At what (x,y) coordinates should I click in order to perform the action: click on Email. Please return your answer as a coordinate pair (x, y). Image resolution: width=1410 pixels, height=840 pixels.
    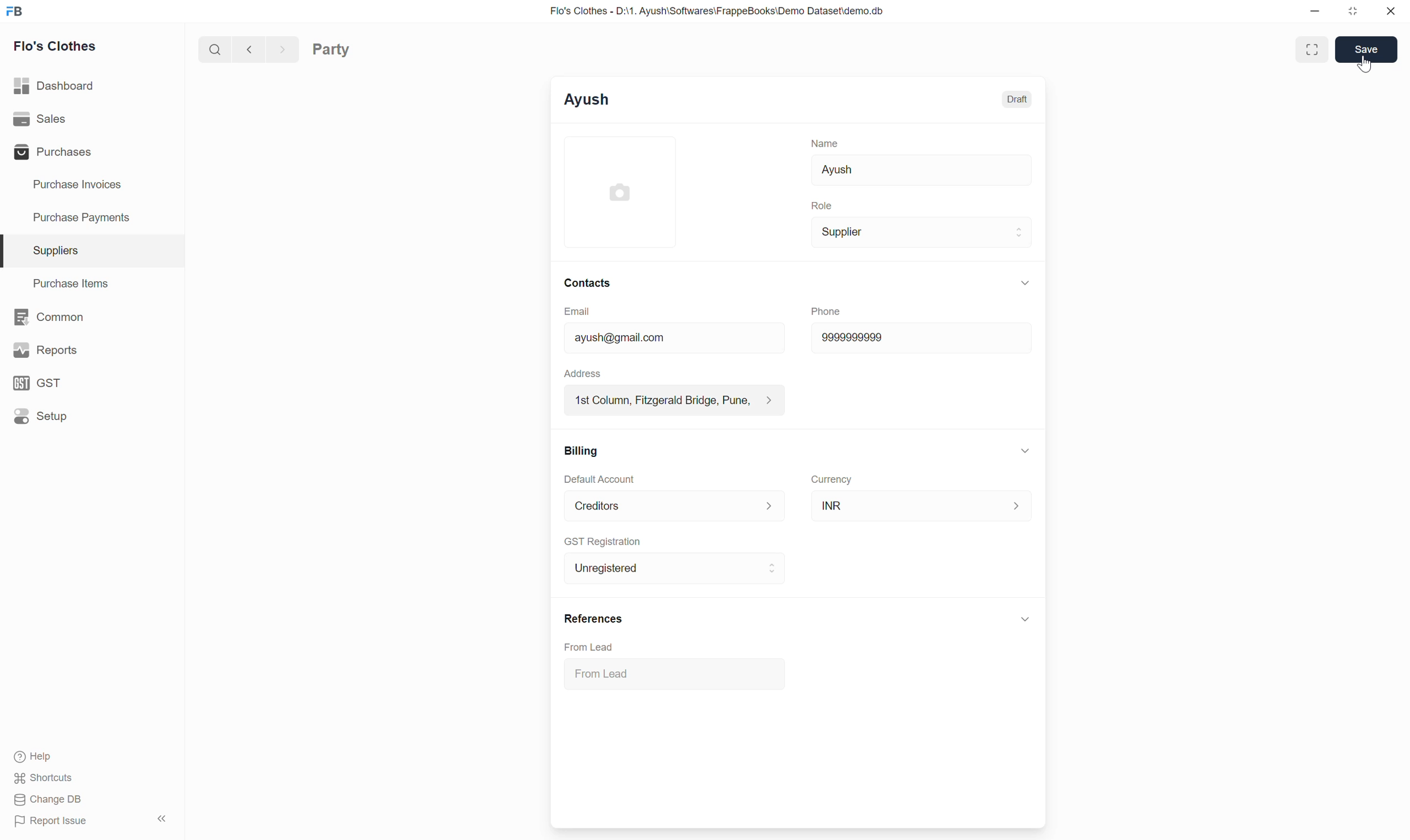
    Looking at the image, I should click on (577, 311).